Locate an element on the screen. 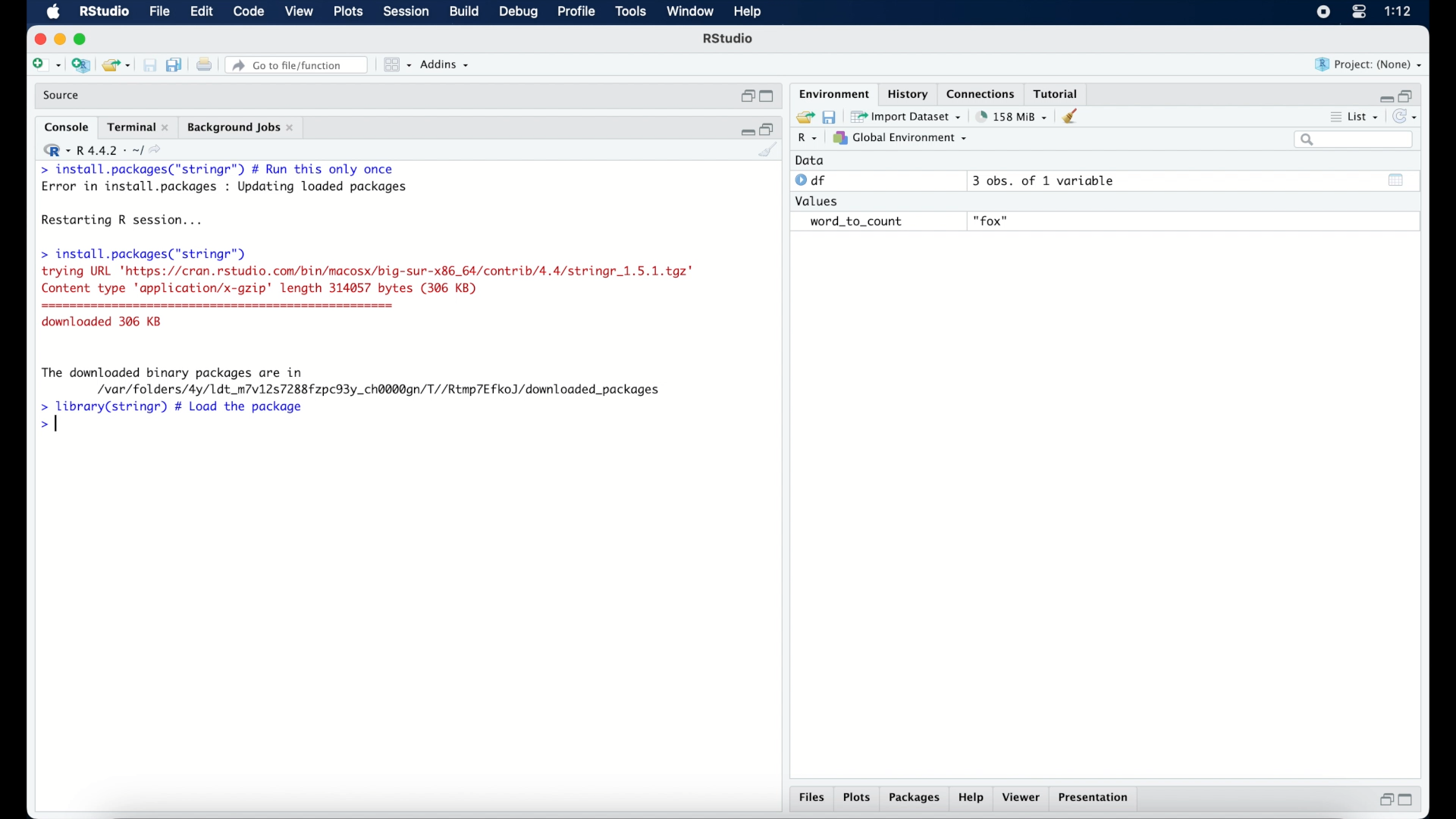  packages is located at coordinates (915, 799).